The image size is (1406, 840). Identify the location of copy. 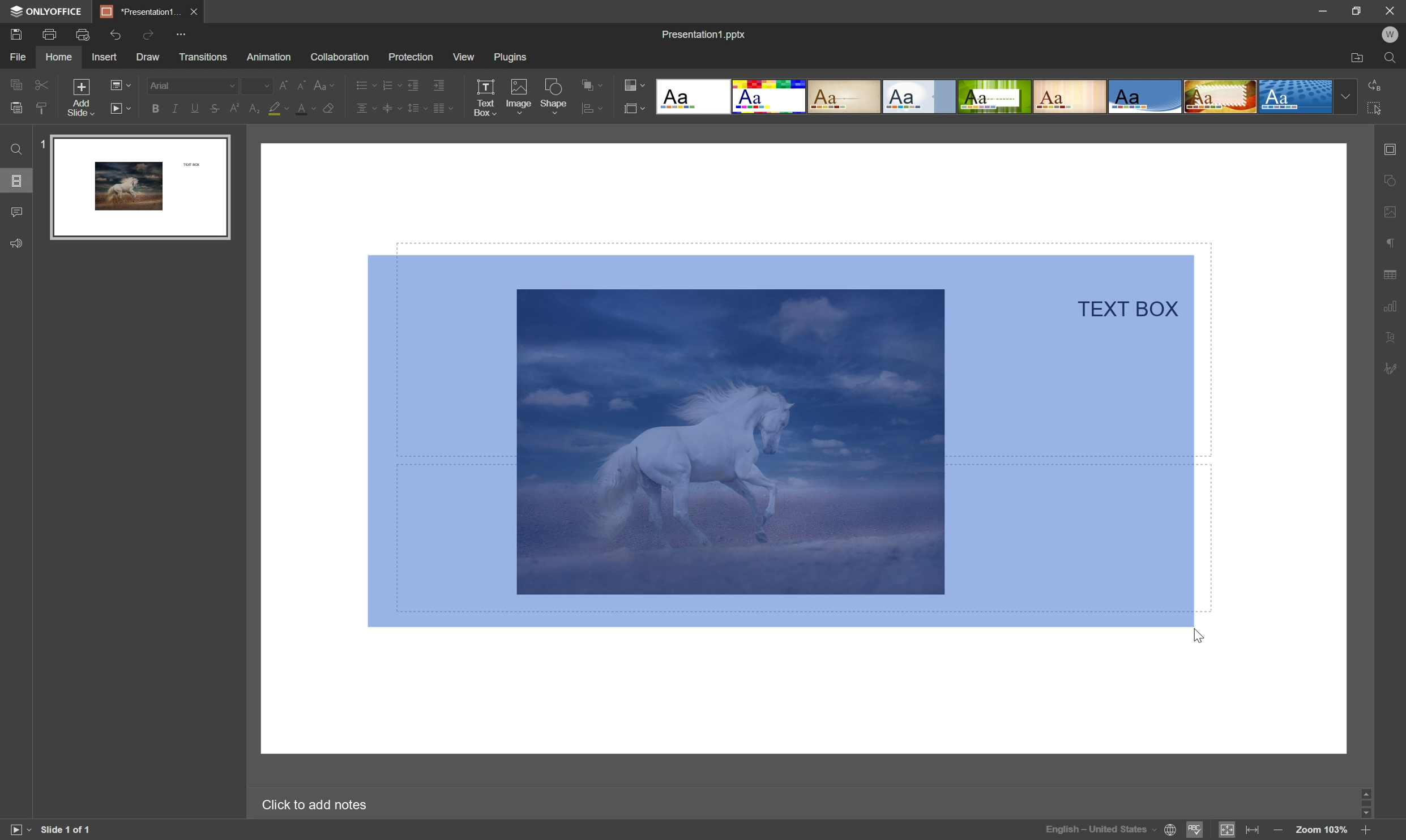
(16, 84).